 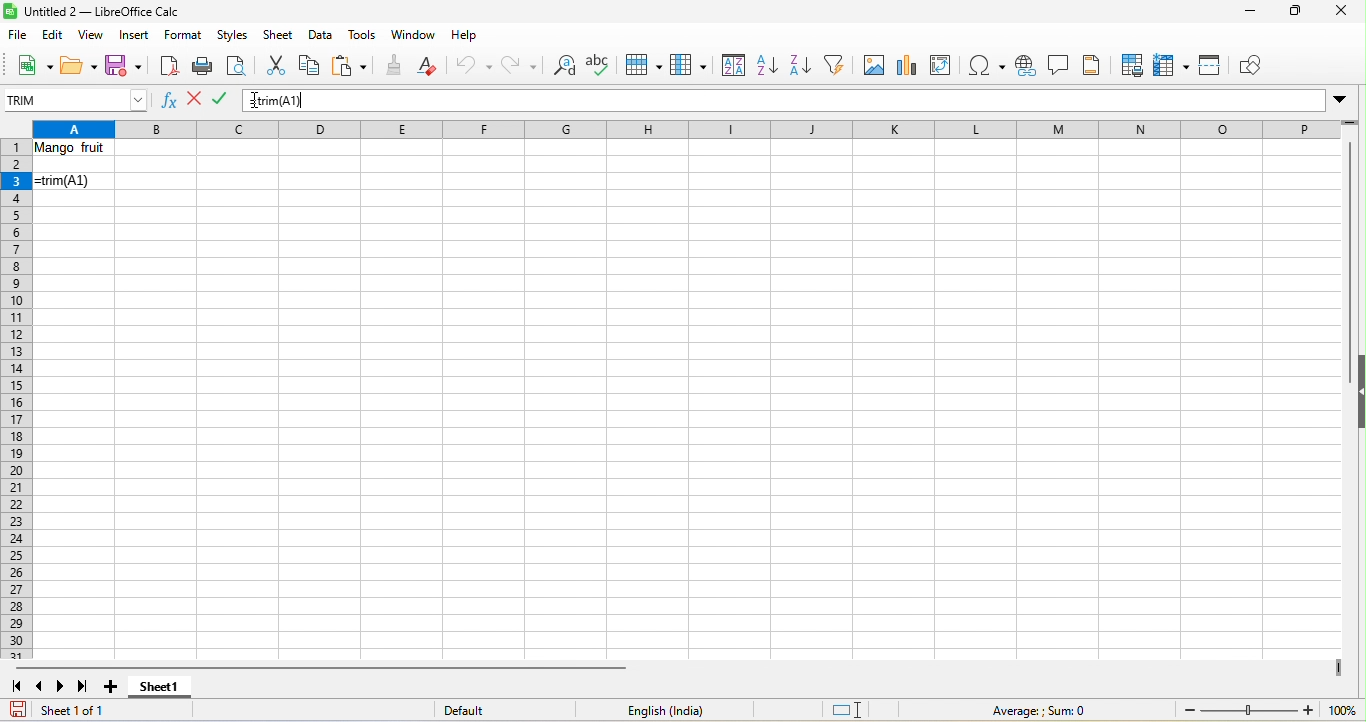 What do you see at coordinates (946, 65) in the screenshot?
I see `edit pivot table` at bounding box center [946, 65].